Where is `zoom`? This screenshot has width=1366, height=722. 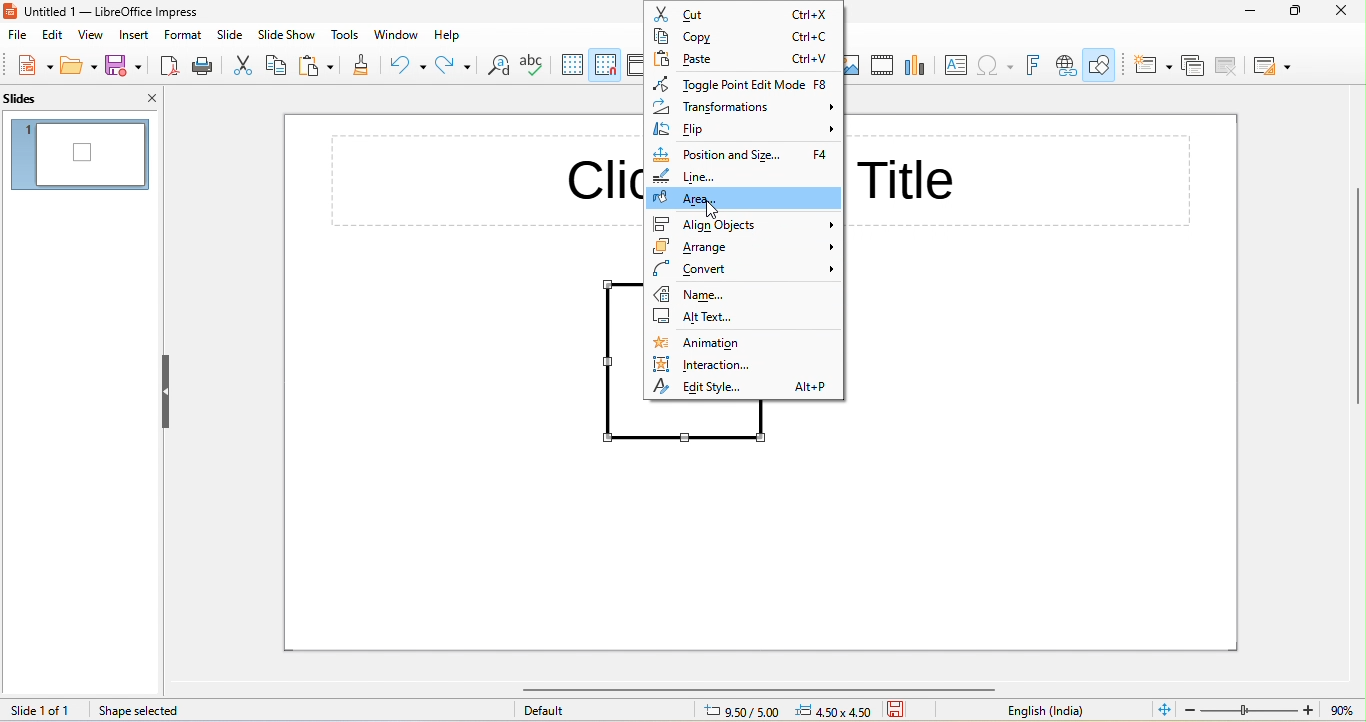 zoom is located at coordinates (1274, 709).